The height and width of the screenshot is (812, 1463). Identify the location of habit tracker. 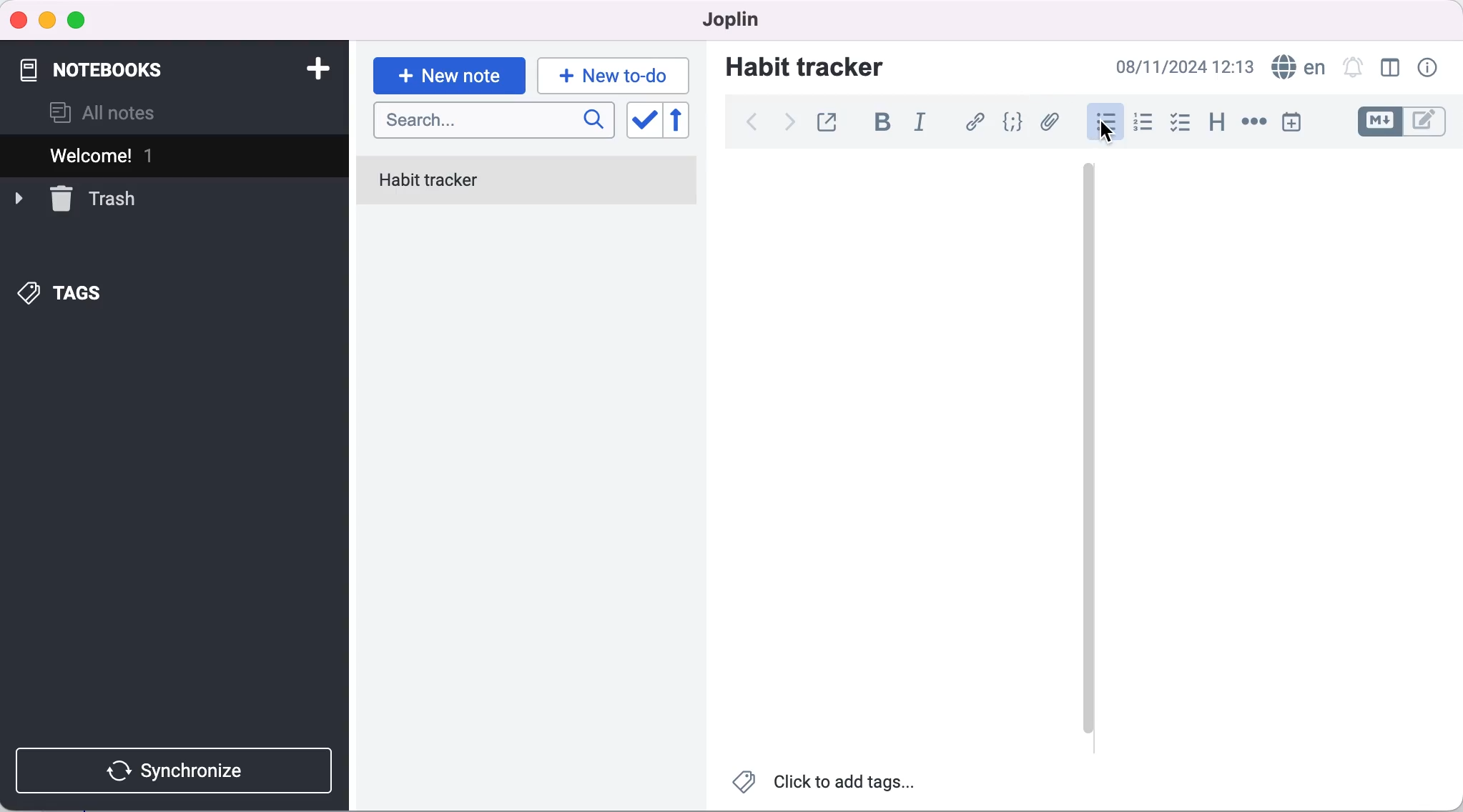
(527, 182).